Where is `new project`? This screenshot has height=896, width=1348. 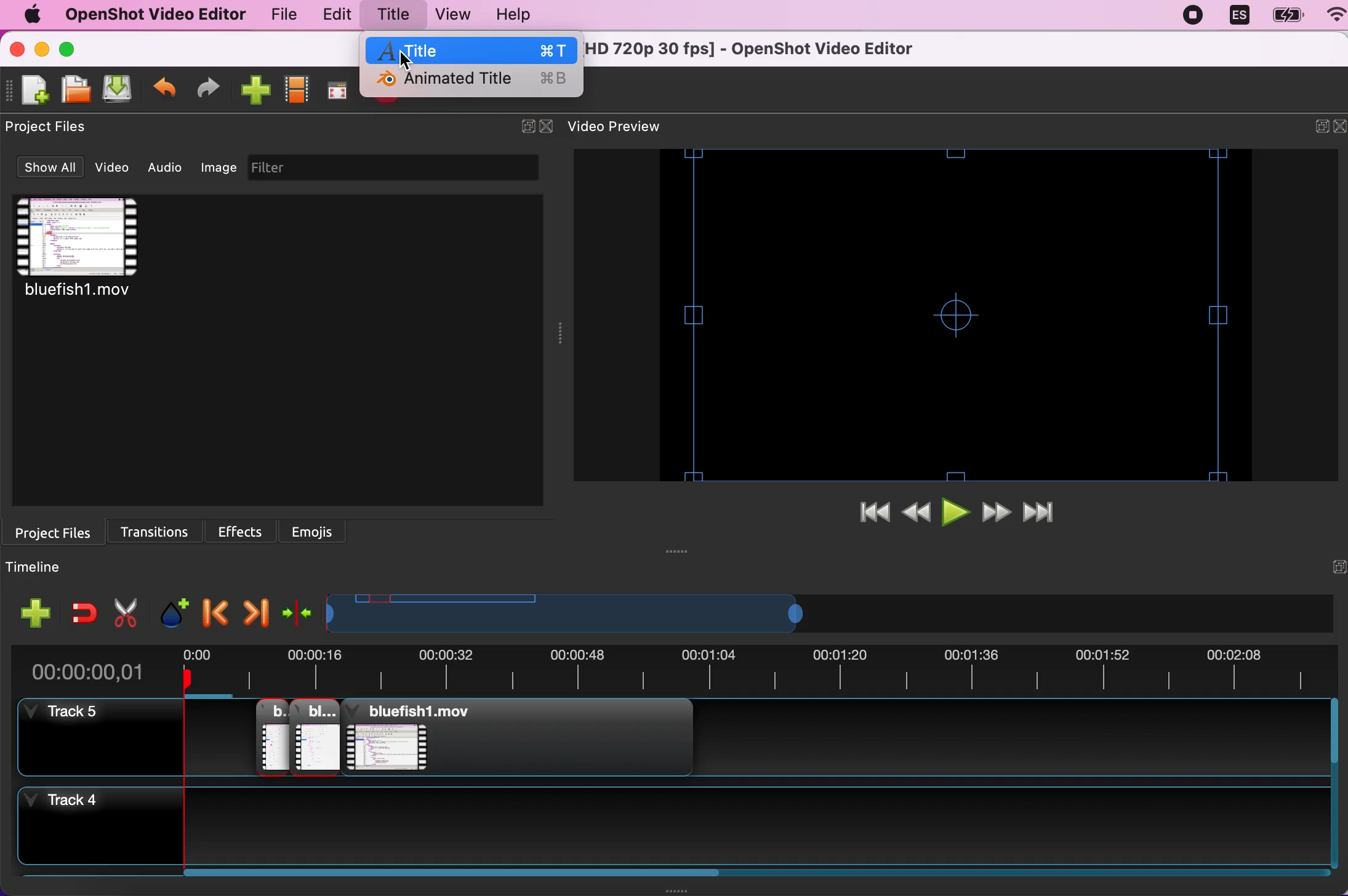 new project is located at coordinates (33, 90).